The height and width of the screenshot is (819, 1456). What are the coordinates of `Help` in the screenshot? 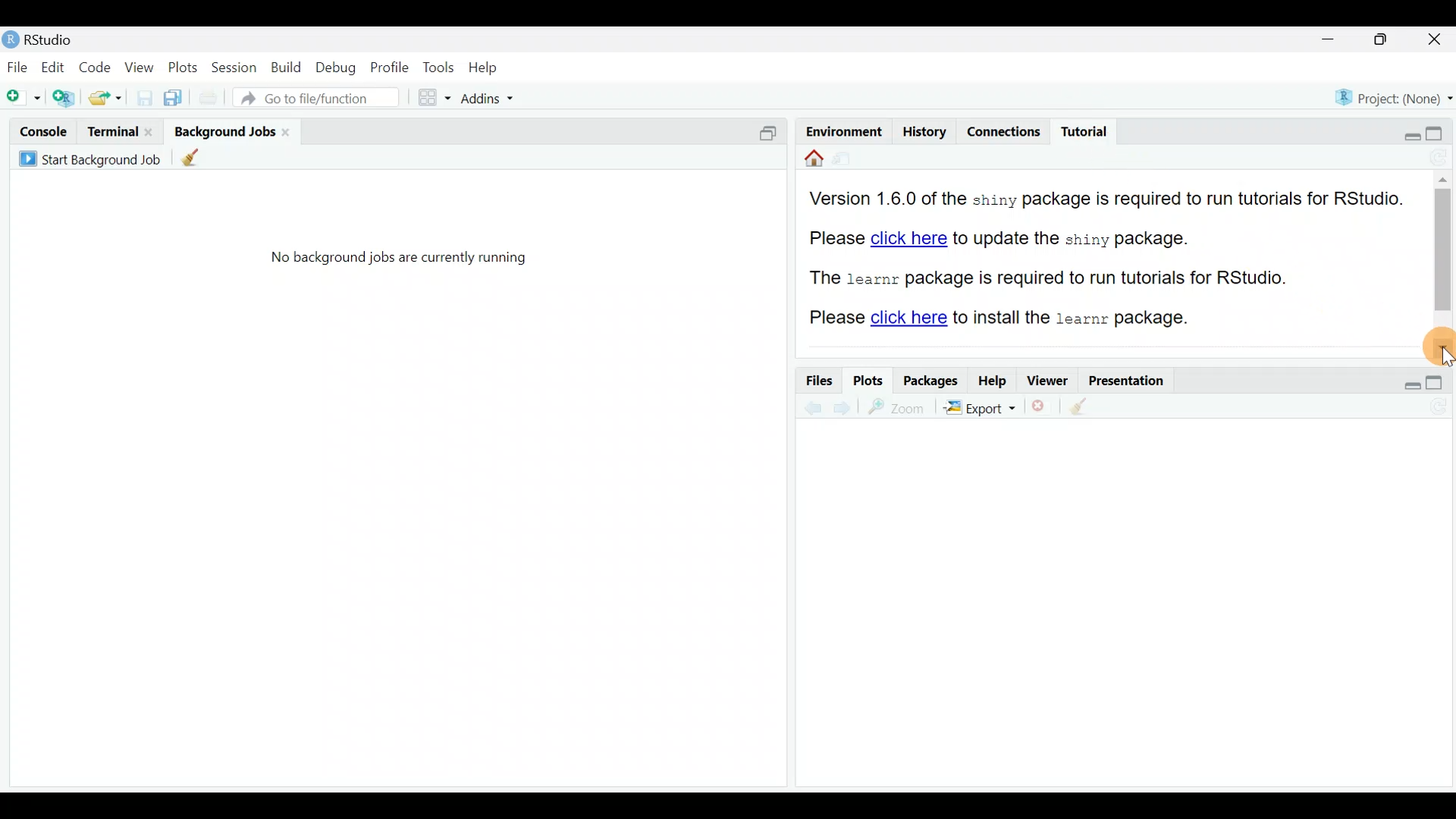 It's located at (992, 380).